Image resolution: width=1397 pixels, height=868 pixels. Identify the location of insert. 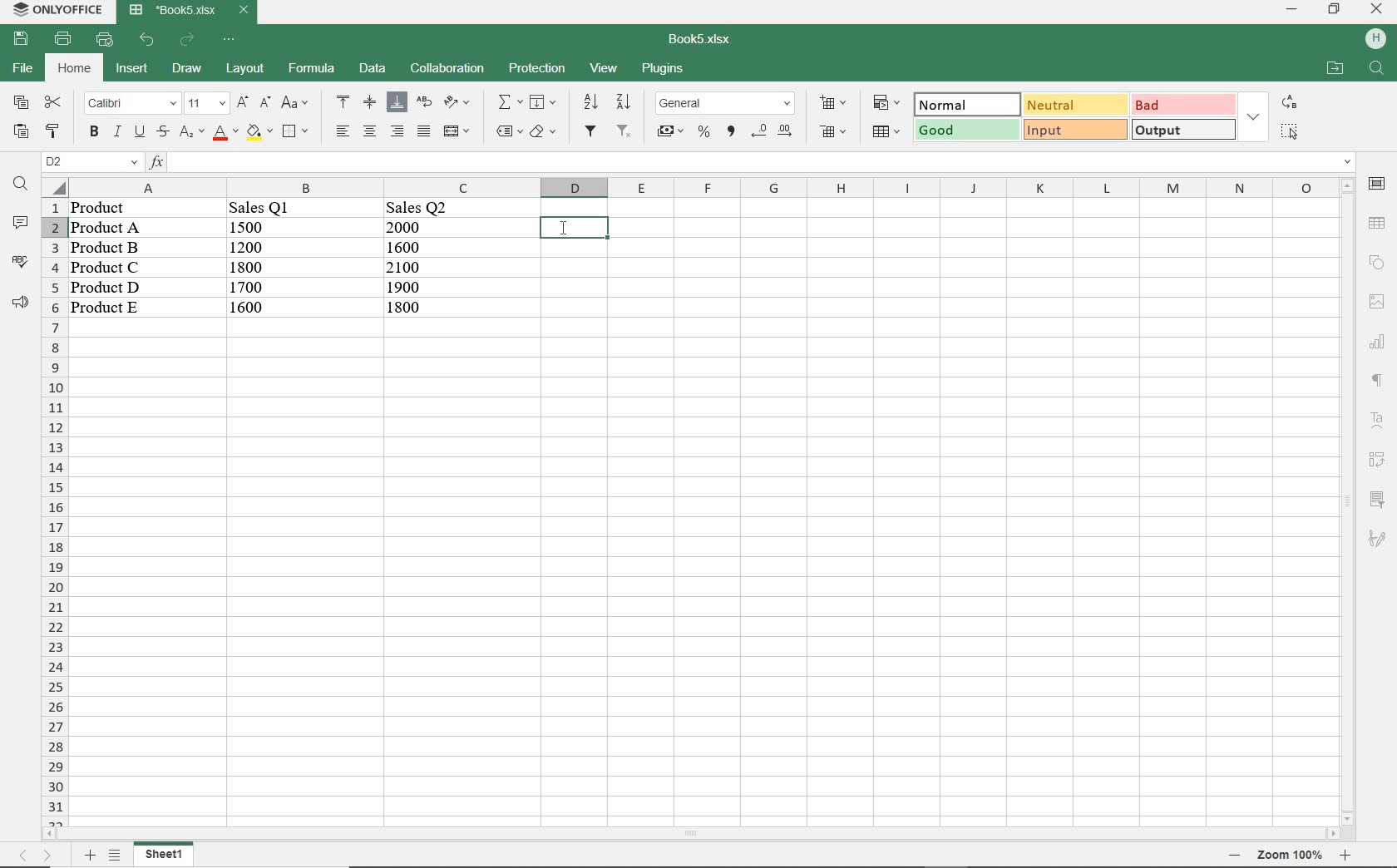
(131, 69).